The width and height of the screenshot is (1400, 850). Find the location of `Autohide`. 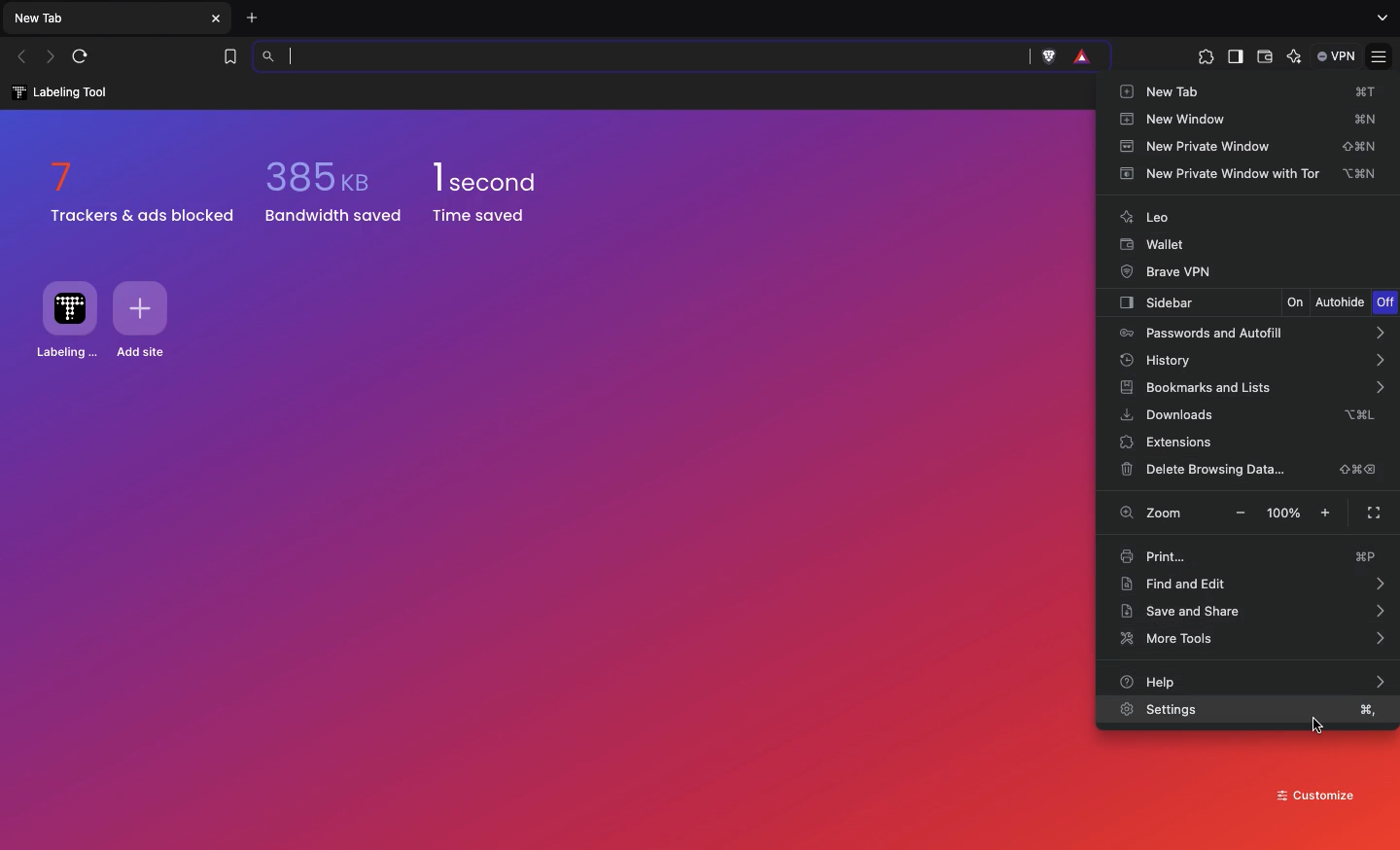

Autohide is located at coordinates (1341, 303).